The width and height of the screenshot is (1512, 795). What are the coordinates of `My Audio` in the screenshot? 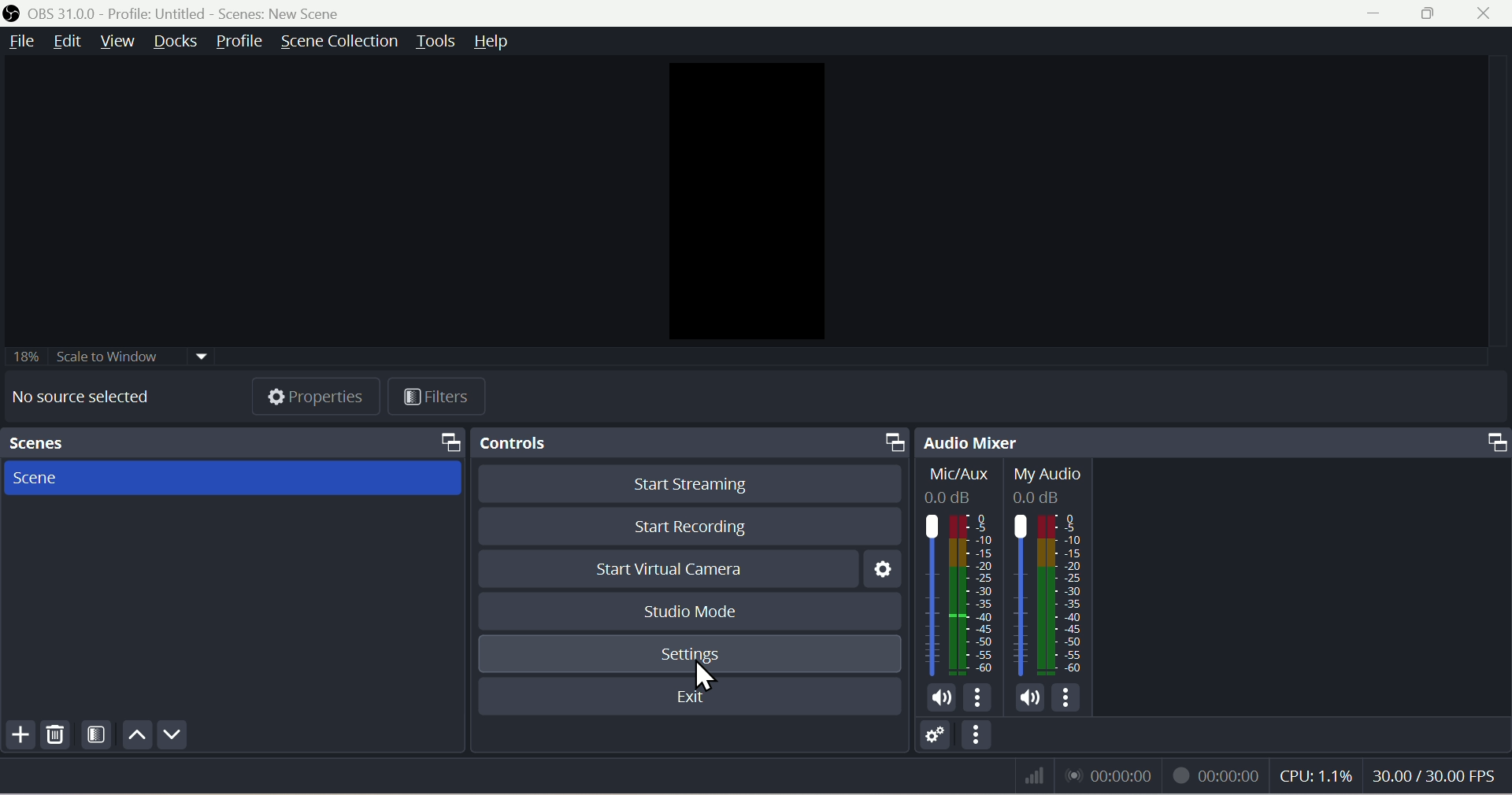 It's located at (1054, 568).